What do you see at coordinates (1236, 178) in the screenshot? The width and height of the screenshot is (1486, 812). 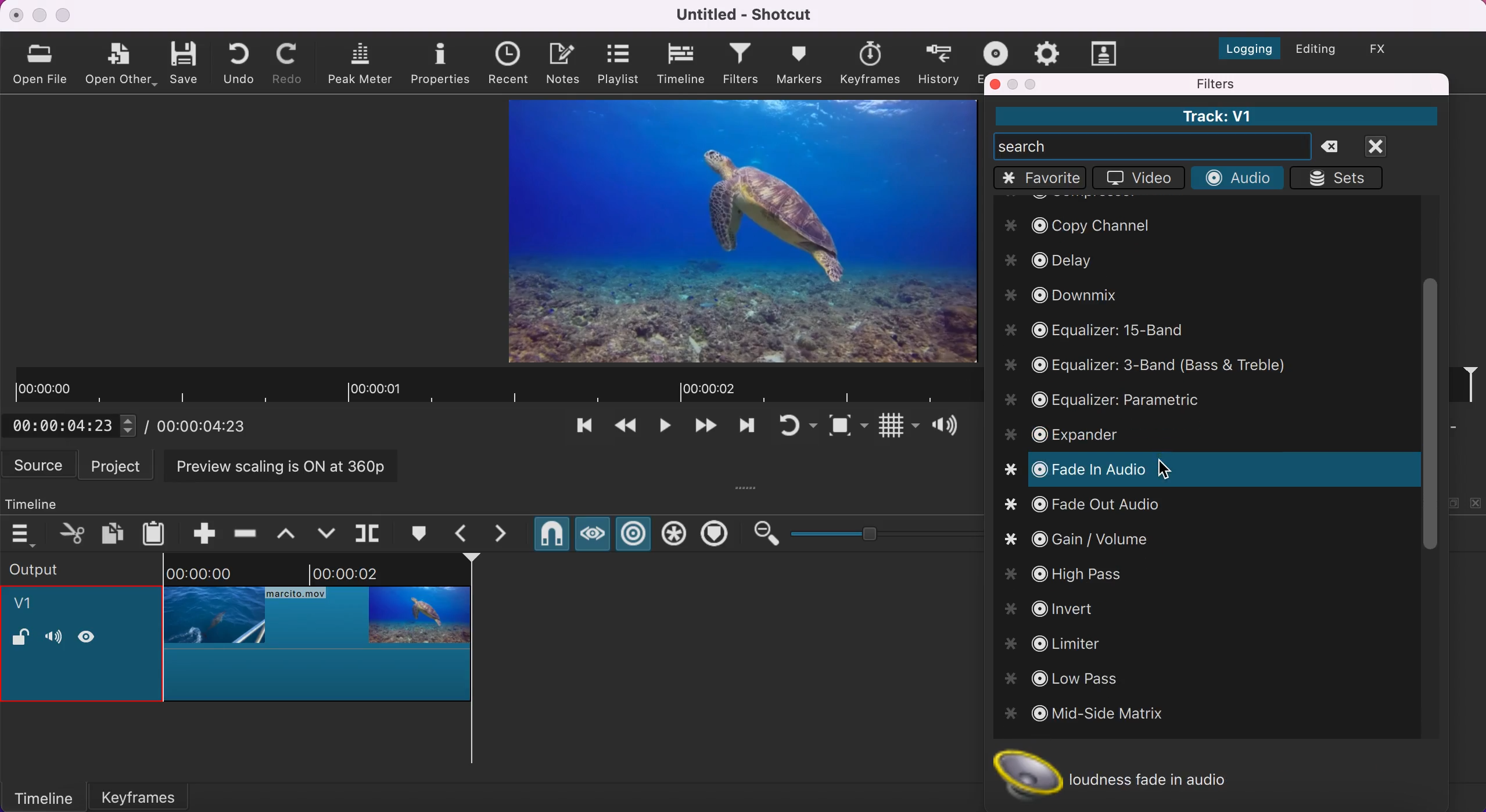 I see `audio` at bounding box center [1236, 178].